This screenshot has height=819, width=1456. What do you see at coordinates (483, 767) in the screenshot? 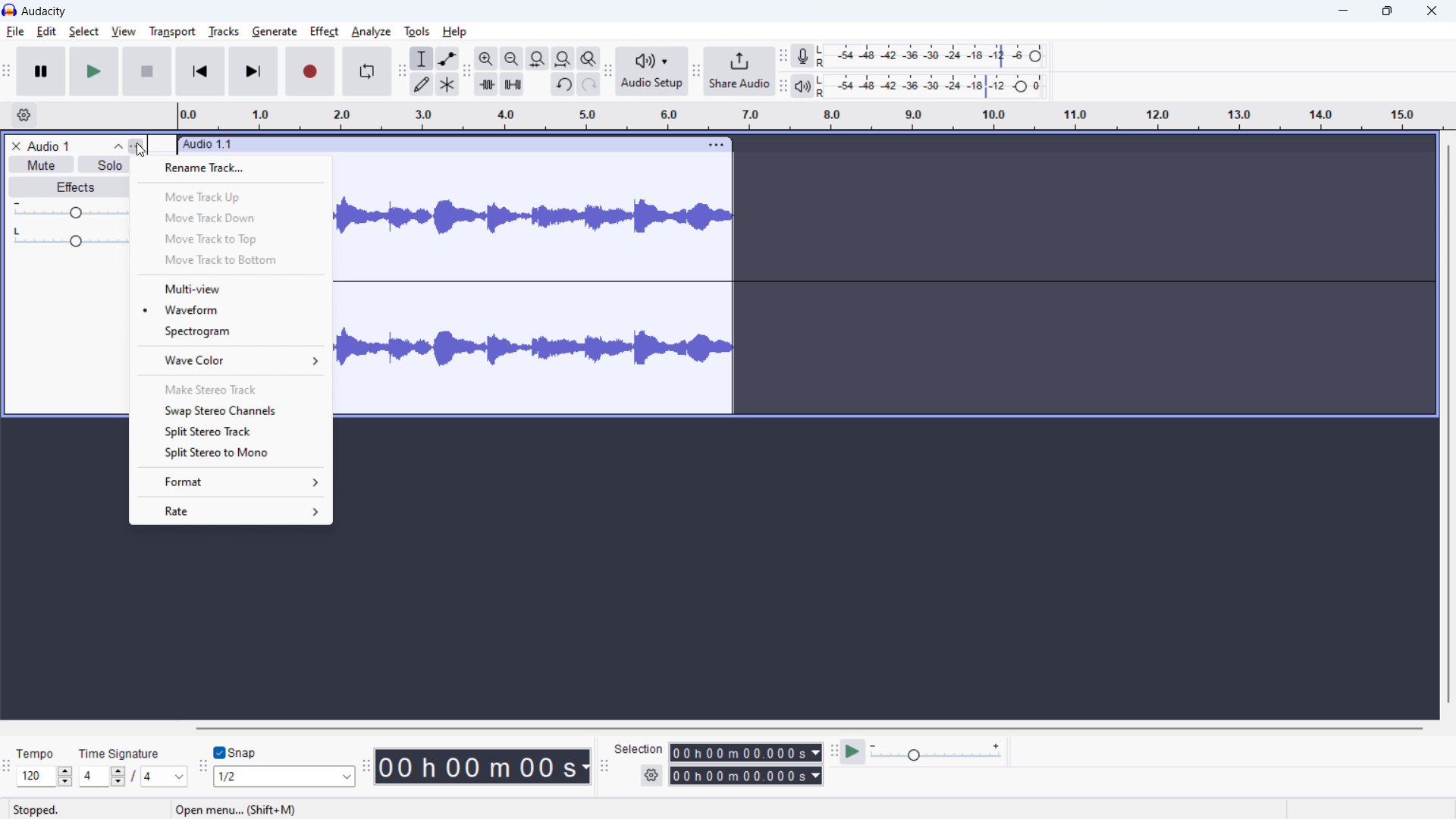
I see `timestamp` at bounding box center [483, 767].